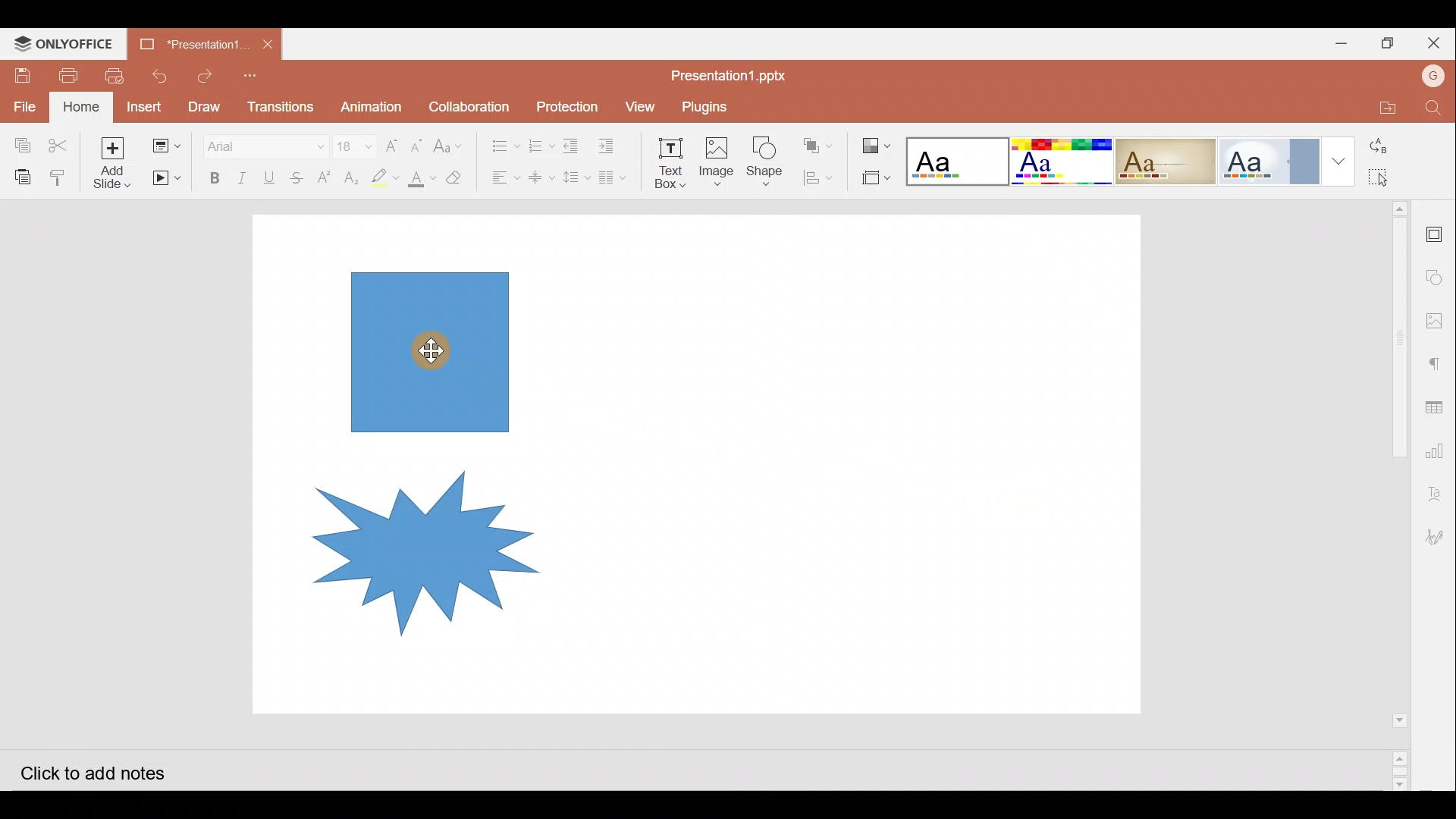 The width and height of the screenshot is (1456, 819). What do you see at coordinates (264, 142) in the screenshot?
I see `Font name` at bounding box center [264, 142].